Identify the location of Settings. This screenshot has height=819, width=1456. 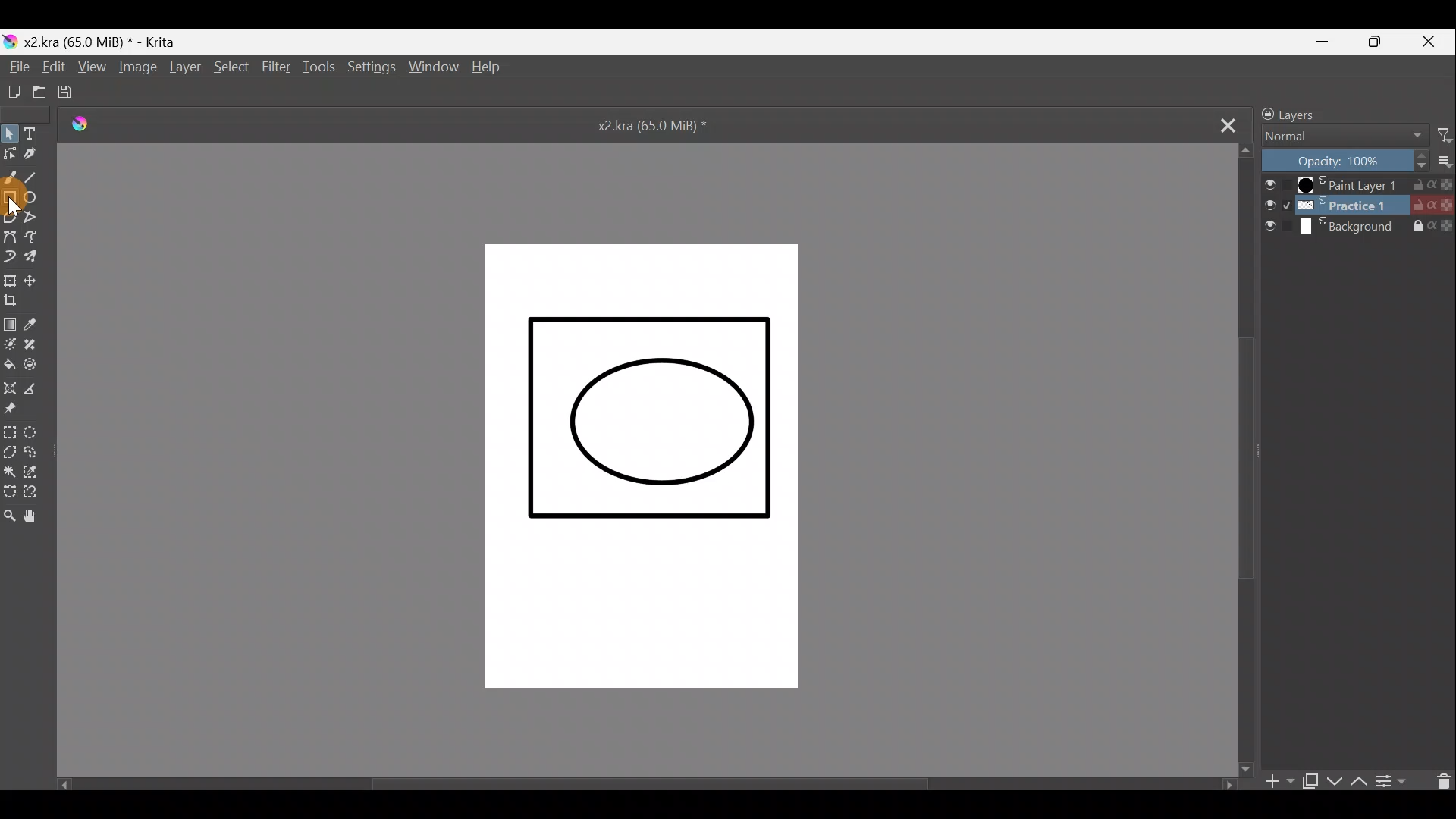
(371, 69).